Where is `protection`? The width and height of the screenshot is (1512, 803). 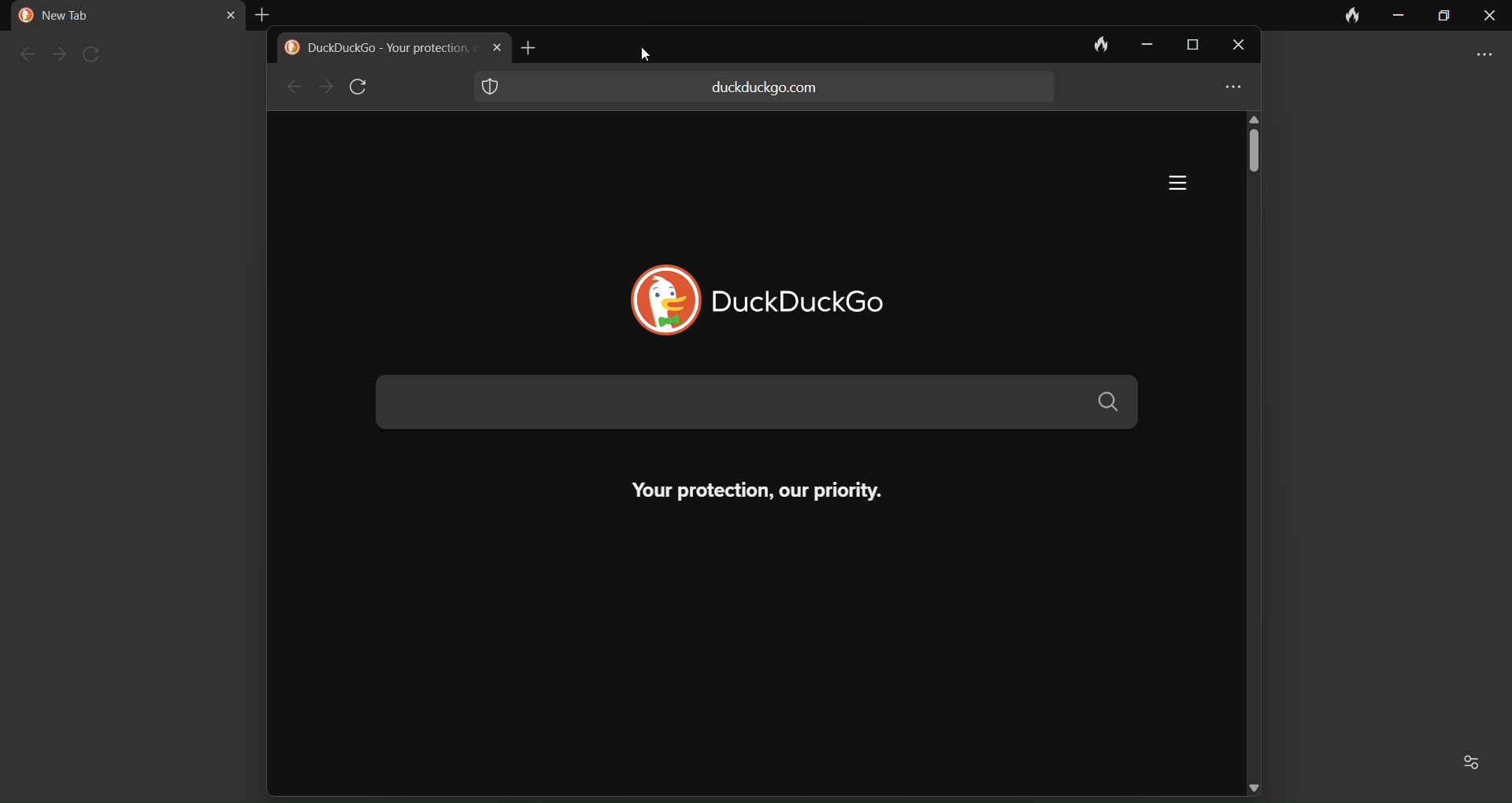
protection is located at coordinates (491, 86).